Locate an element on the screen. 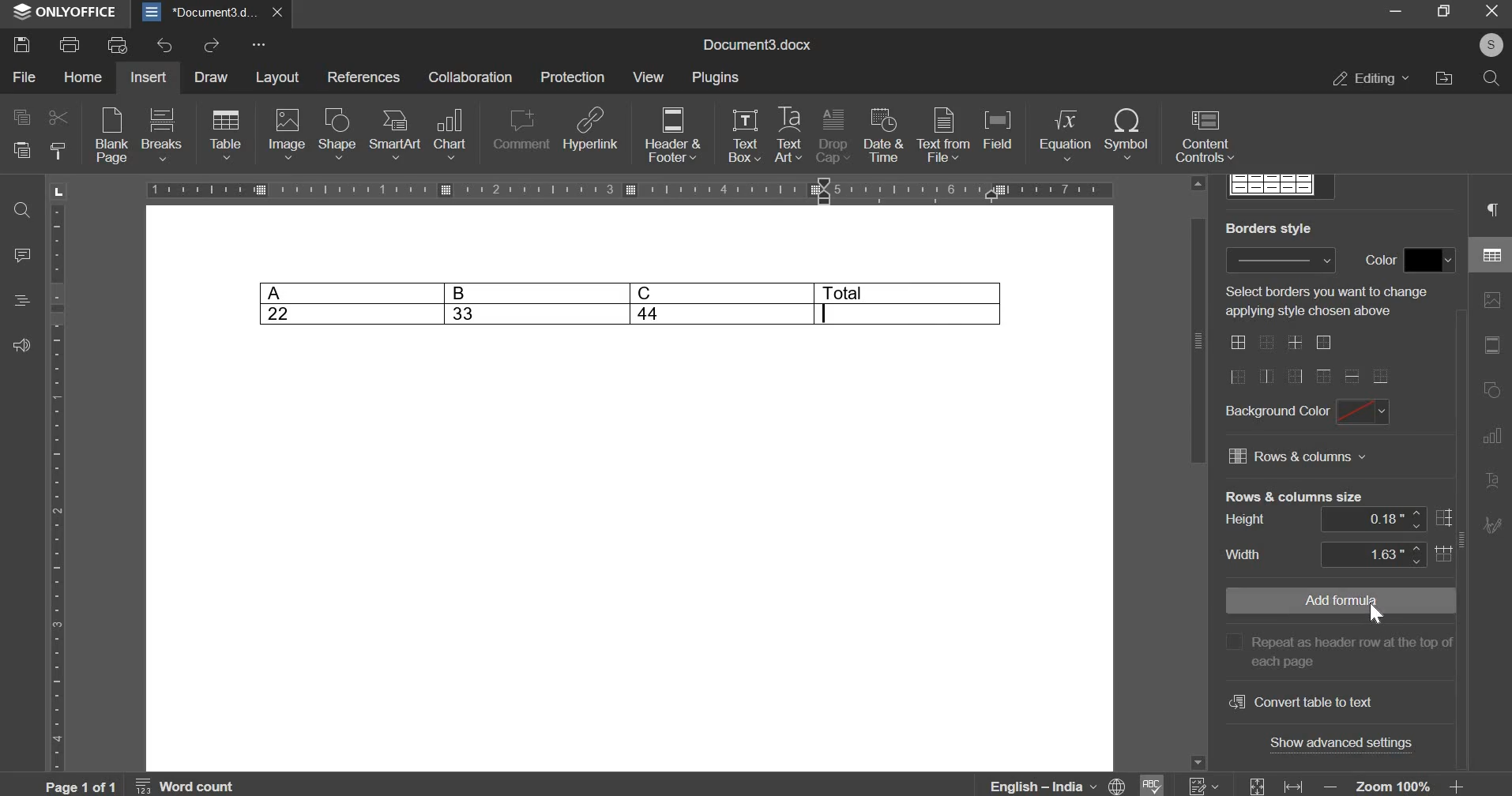 The width and height of the screenshot is (1512, 796). file is located at coordinates (23, 77).